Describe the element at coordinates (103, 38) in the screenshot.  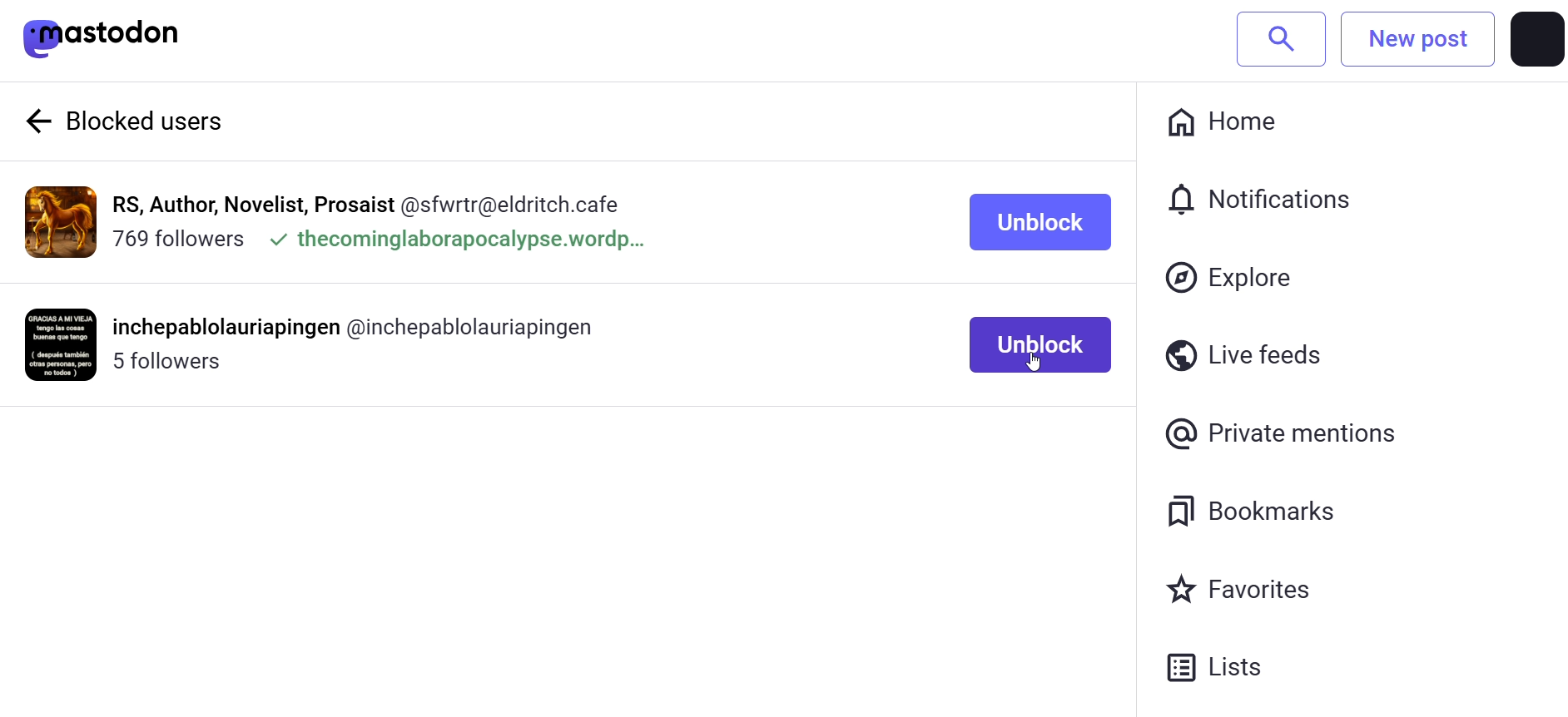
I see `mastodon` at that location.